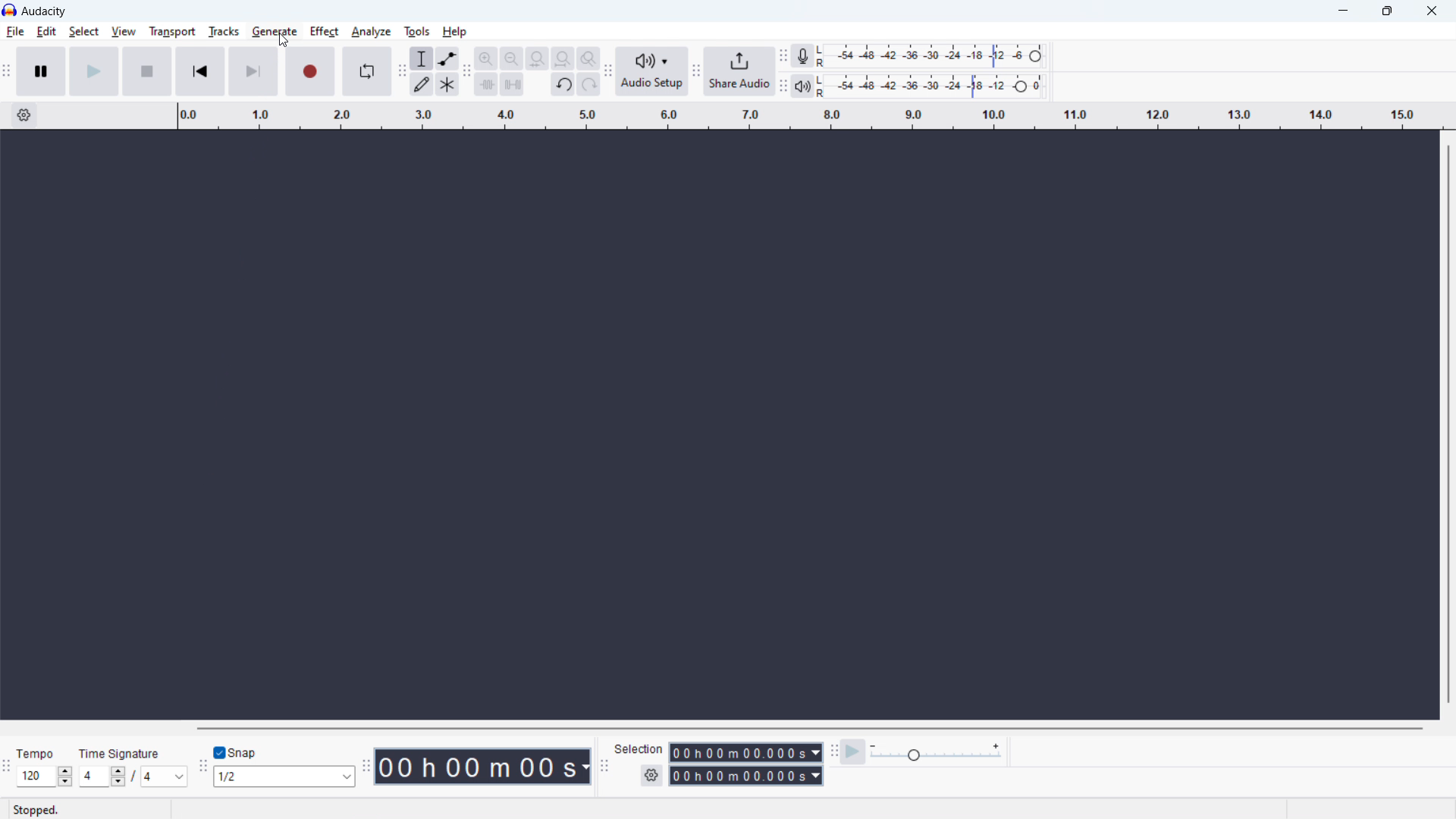 The width and height of the screenshot is (1456, 819). What do you see at coordinates (422, 83) in the screenshot?
I see `draw tool` at bounding box center [422, 83].